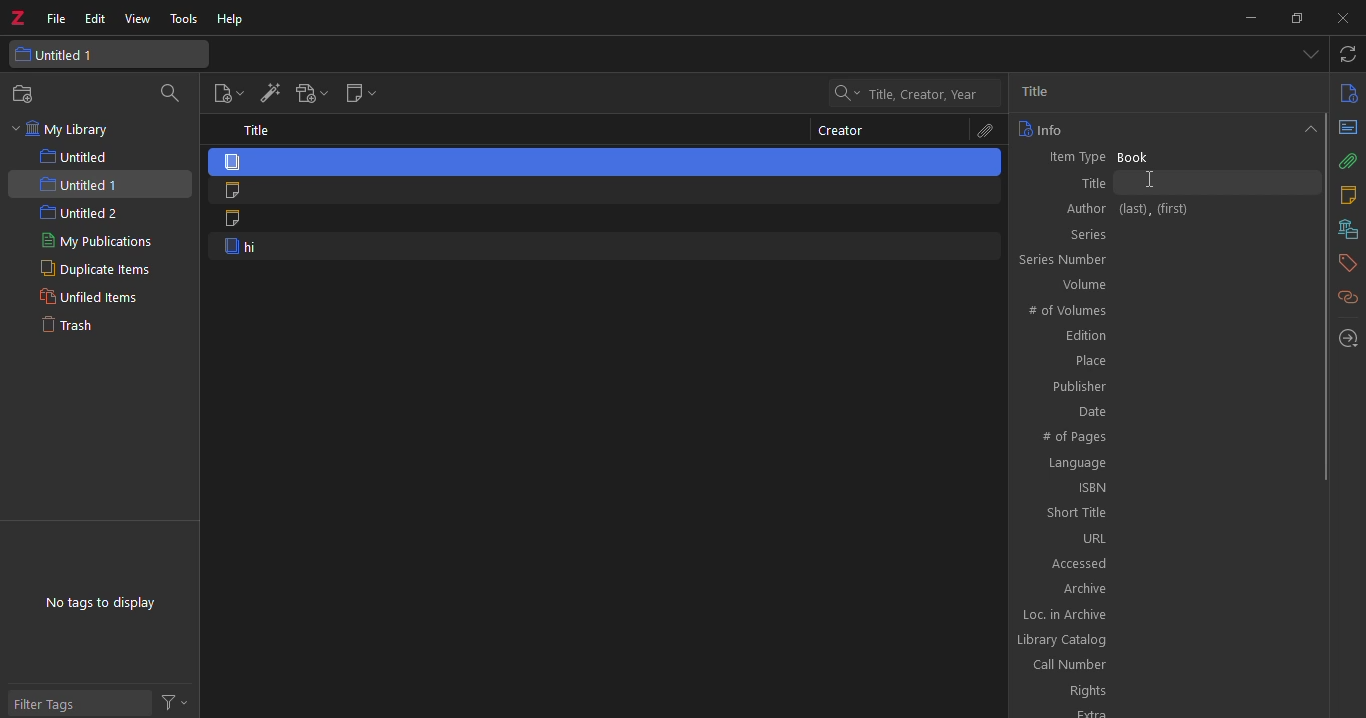 This screenshot has width=1366, height=718. Describe the element at coordinates (1307, 127) in the screenshot. I see `expand` at that location.